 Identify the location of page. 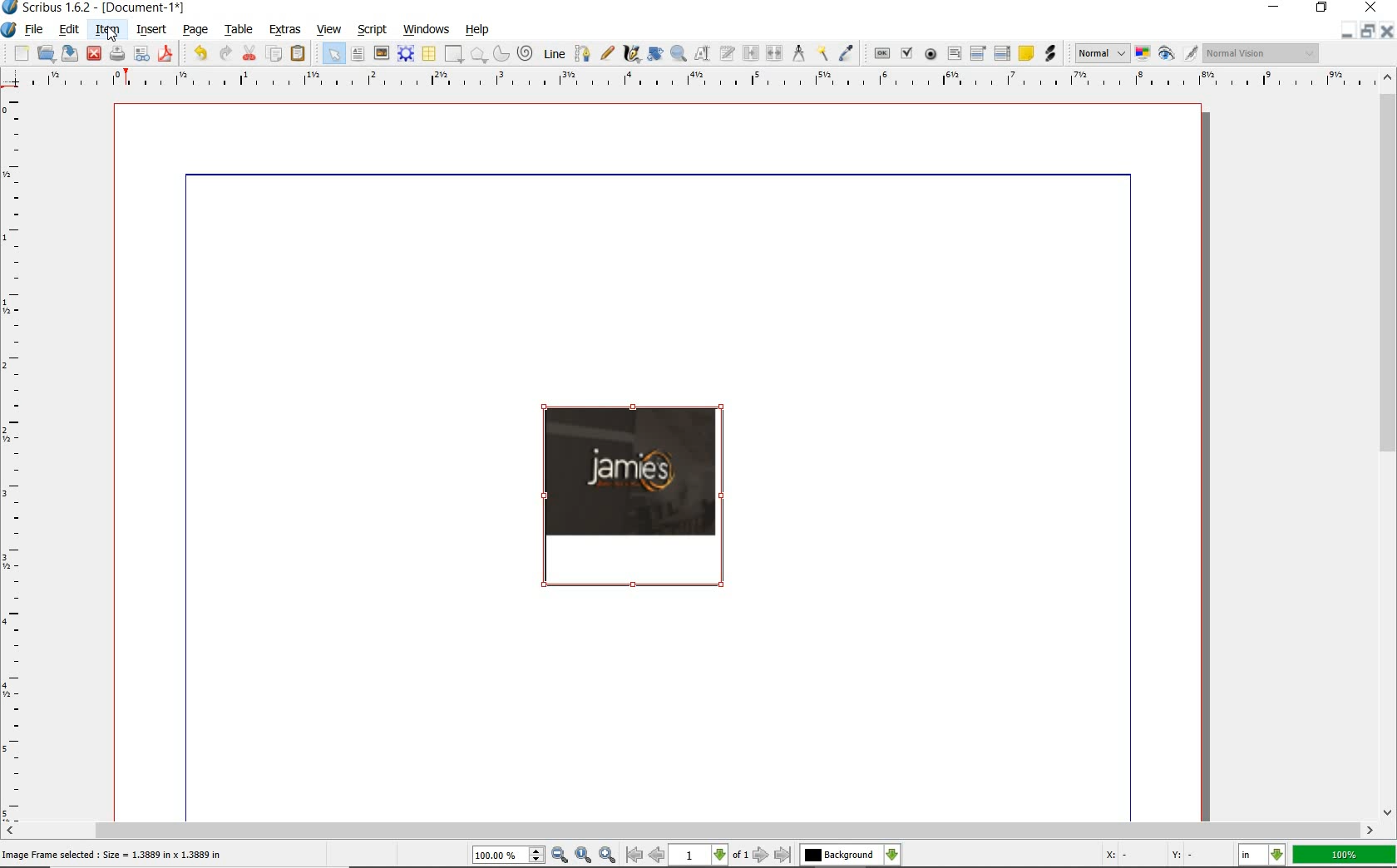
(196, 30).